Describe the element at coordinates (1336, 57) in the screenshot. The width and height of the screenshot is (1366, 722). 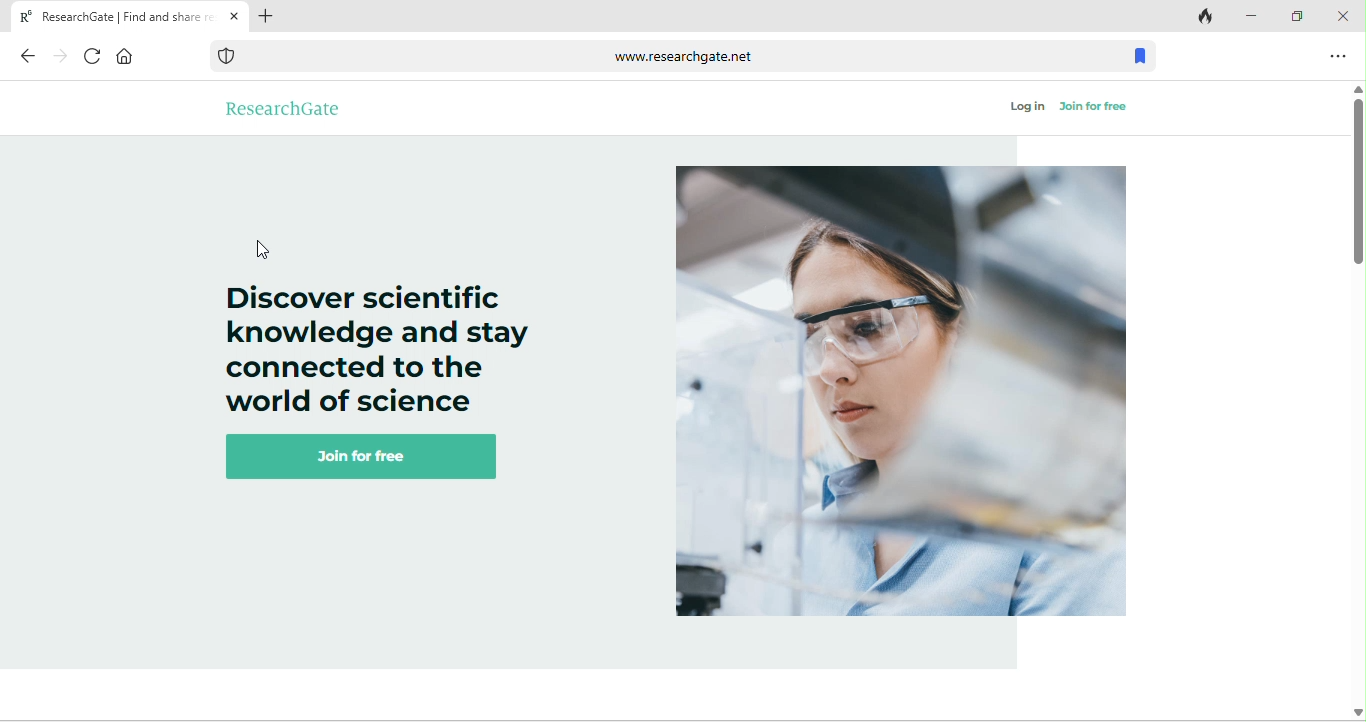
I see `option` at that location.